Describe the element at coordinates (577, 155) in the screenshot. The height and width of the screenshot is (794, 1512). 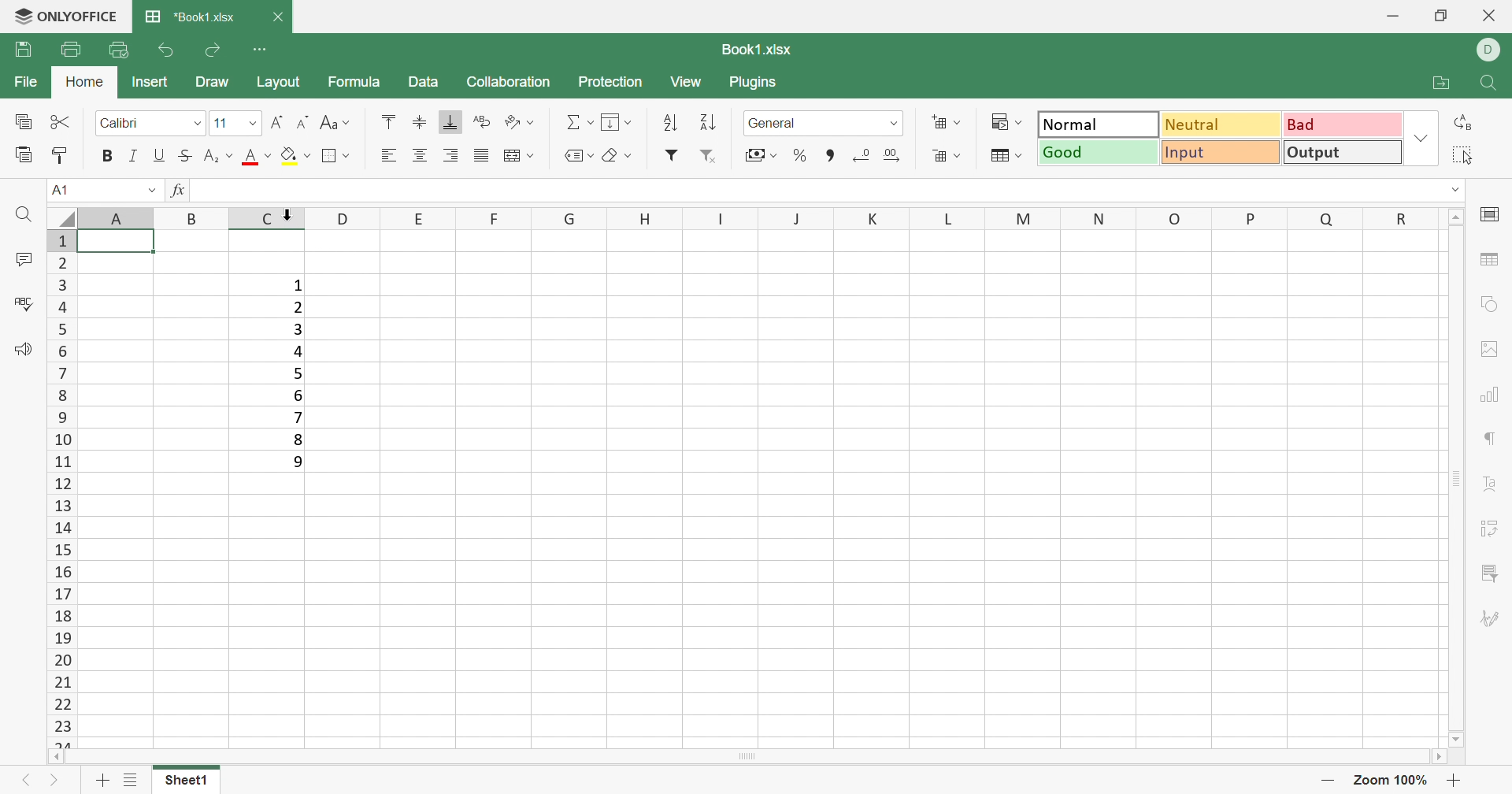
I see `Named ranges` at that location.